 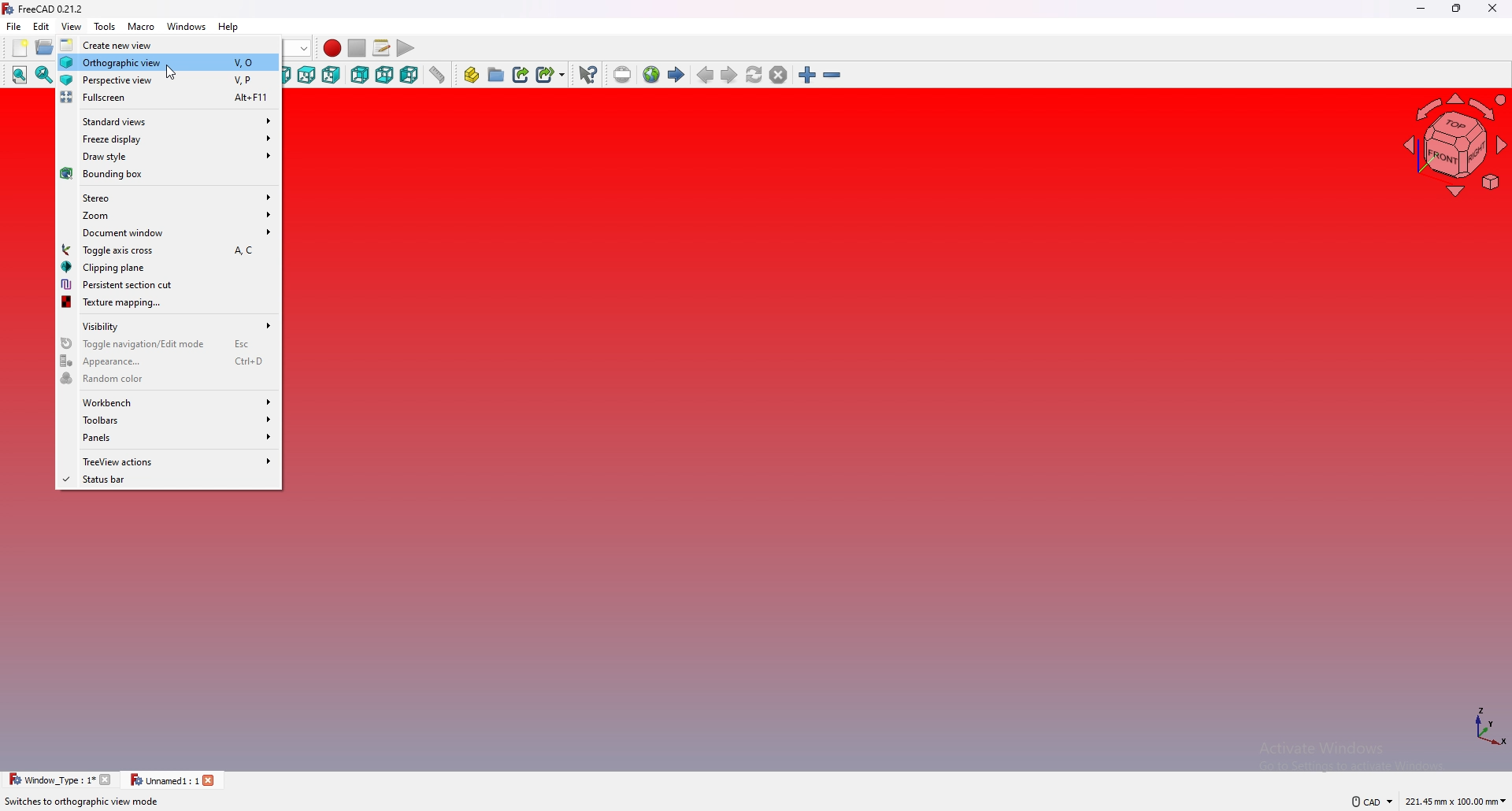 What do you see at coordinates (171, 325) in the screenshot?
I see `visibility` at bounding box center [171, 325].